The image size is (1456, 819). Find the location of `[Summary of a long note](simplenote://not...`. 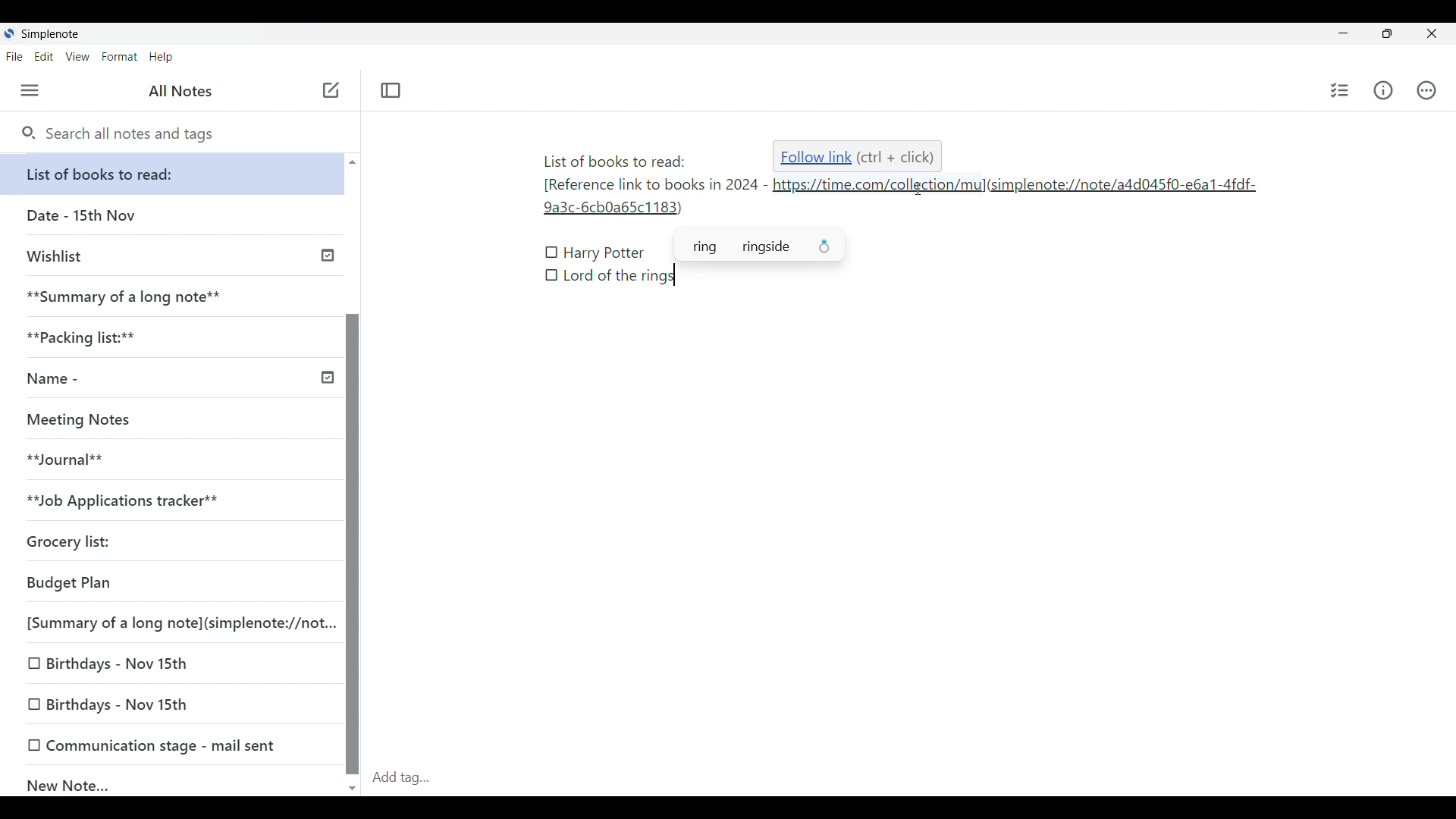

[Summary of a long note](simplenote://not... is located at coordinates (177, 623).